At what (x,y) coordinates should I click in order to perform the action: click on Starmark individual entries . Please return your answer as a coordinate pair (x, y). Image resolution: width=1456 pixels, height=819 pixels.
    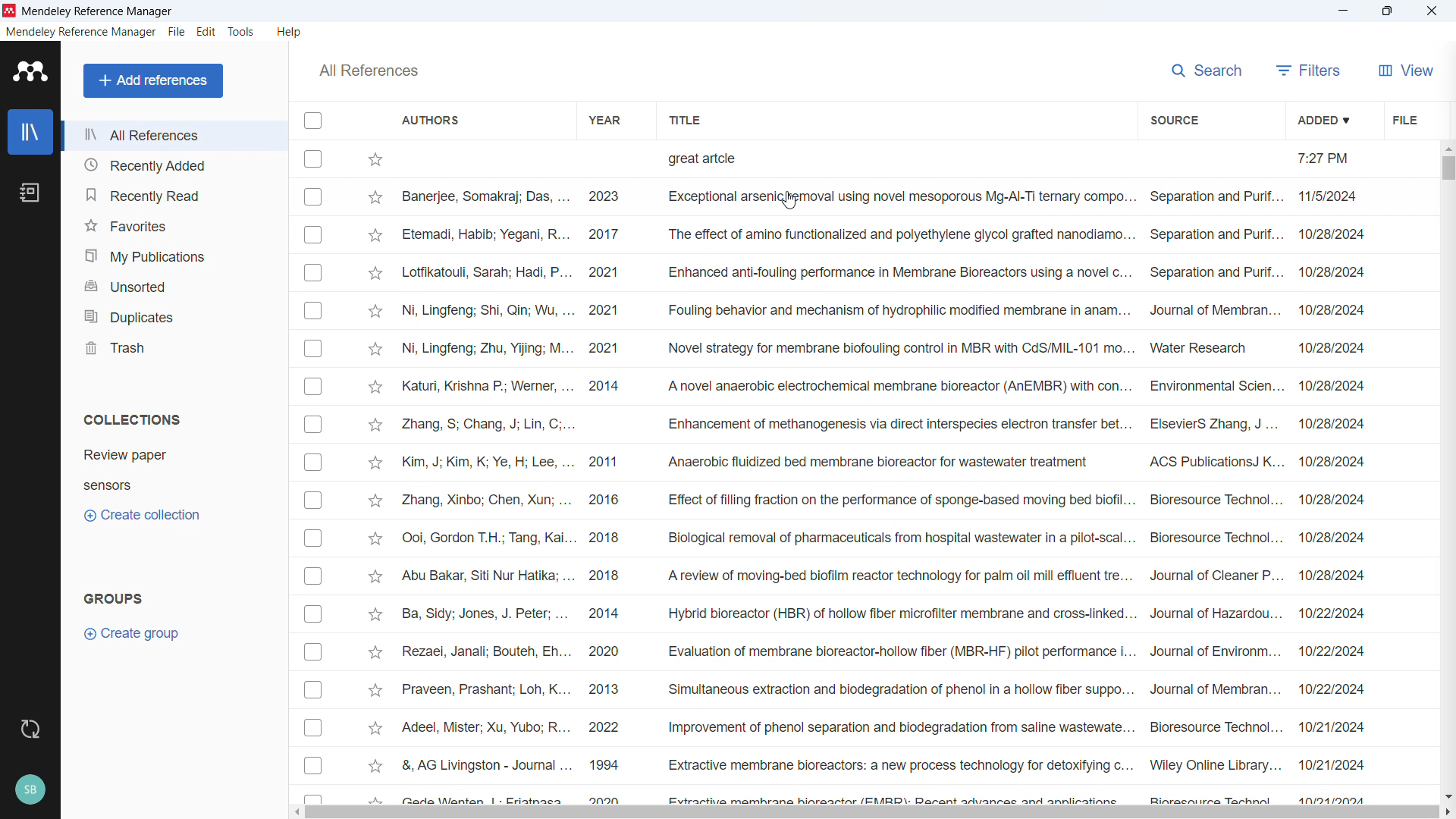
    Looking at the image, I should click on (376, 475).